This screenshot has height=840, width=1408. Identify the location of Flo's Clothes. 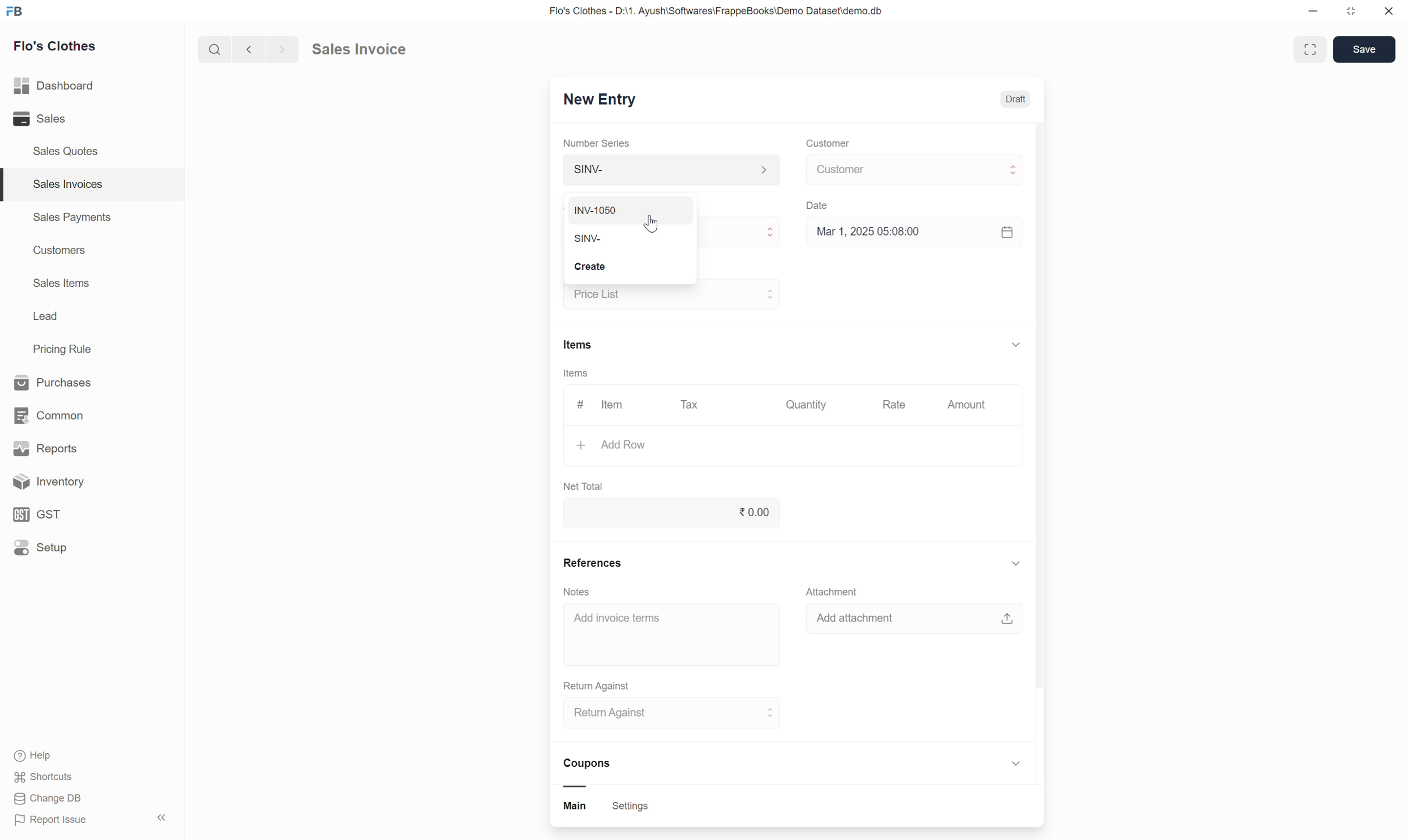
(61, 48).